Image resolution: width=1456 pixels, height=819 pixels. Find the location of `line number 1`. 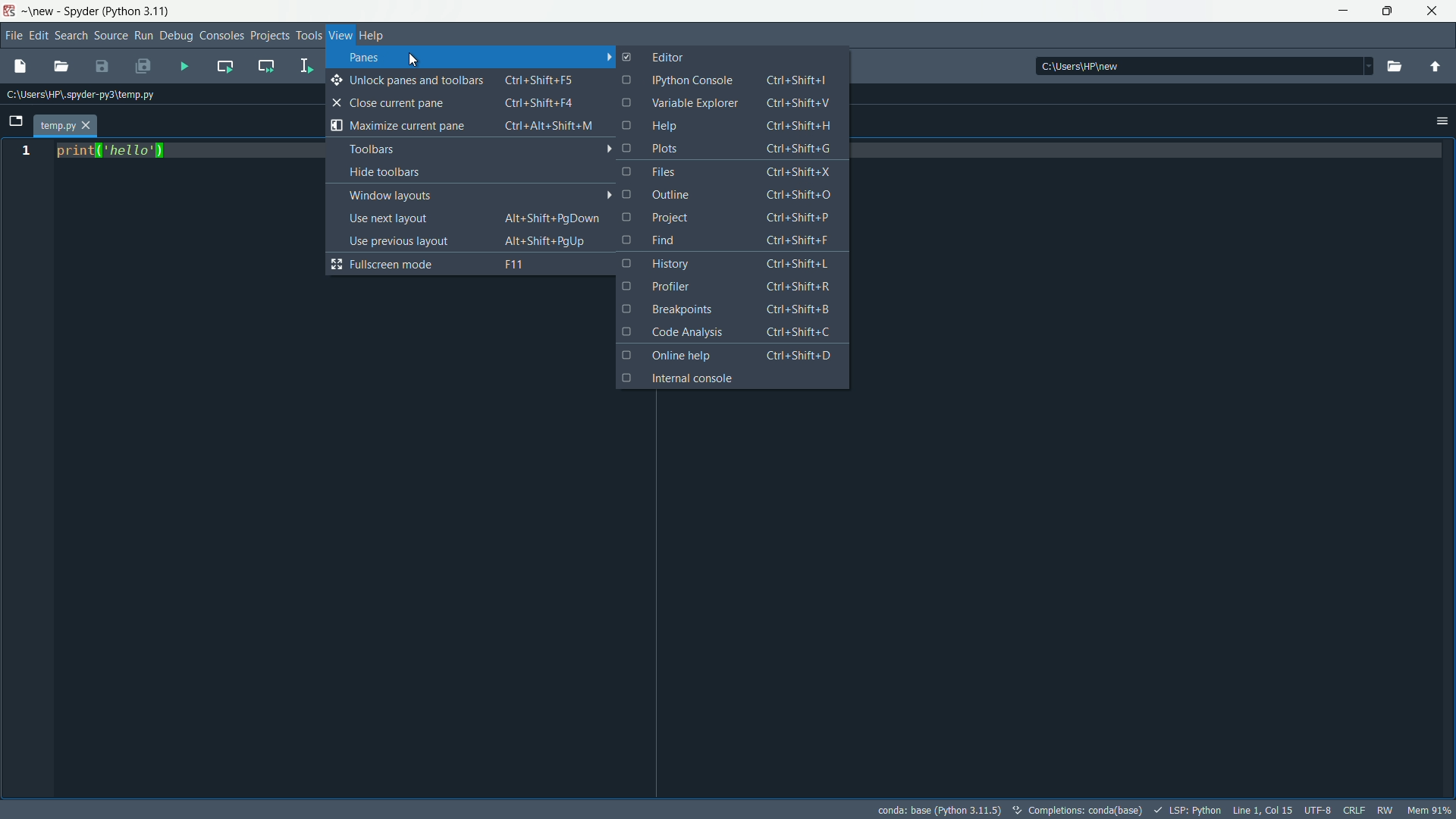

line number 1 is located at coordinates (24, 152).